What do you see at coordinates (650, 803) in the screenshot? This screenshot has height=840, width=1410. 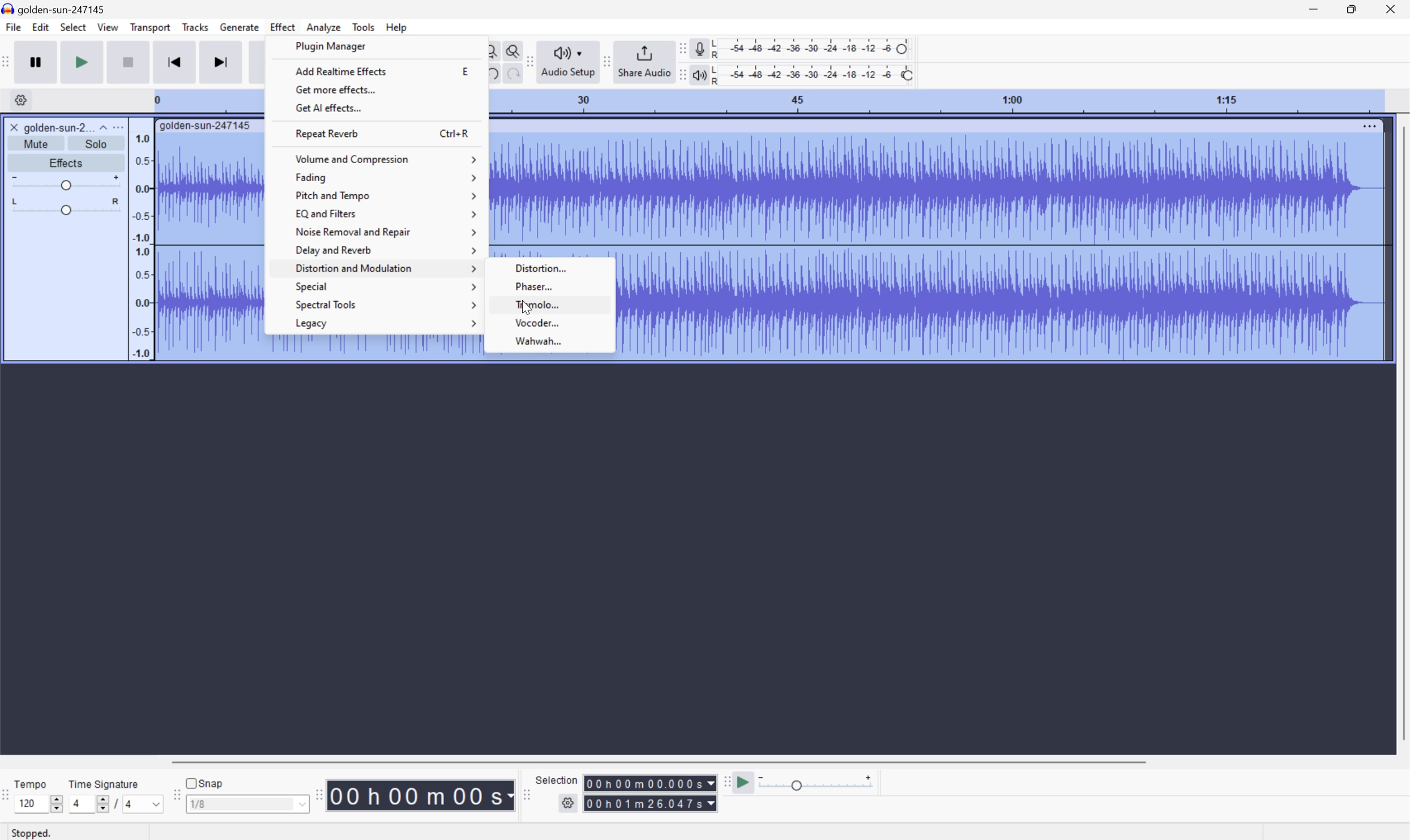 I see `Selection` at bounding box center [650, 803].